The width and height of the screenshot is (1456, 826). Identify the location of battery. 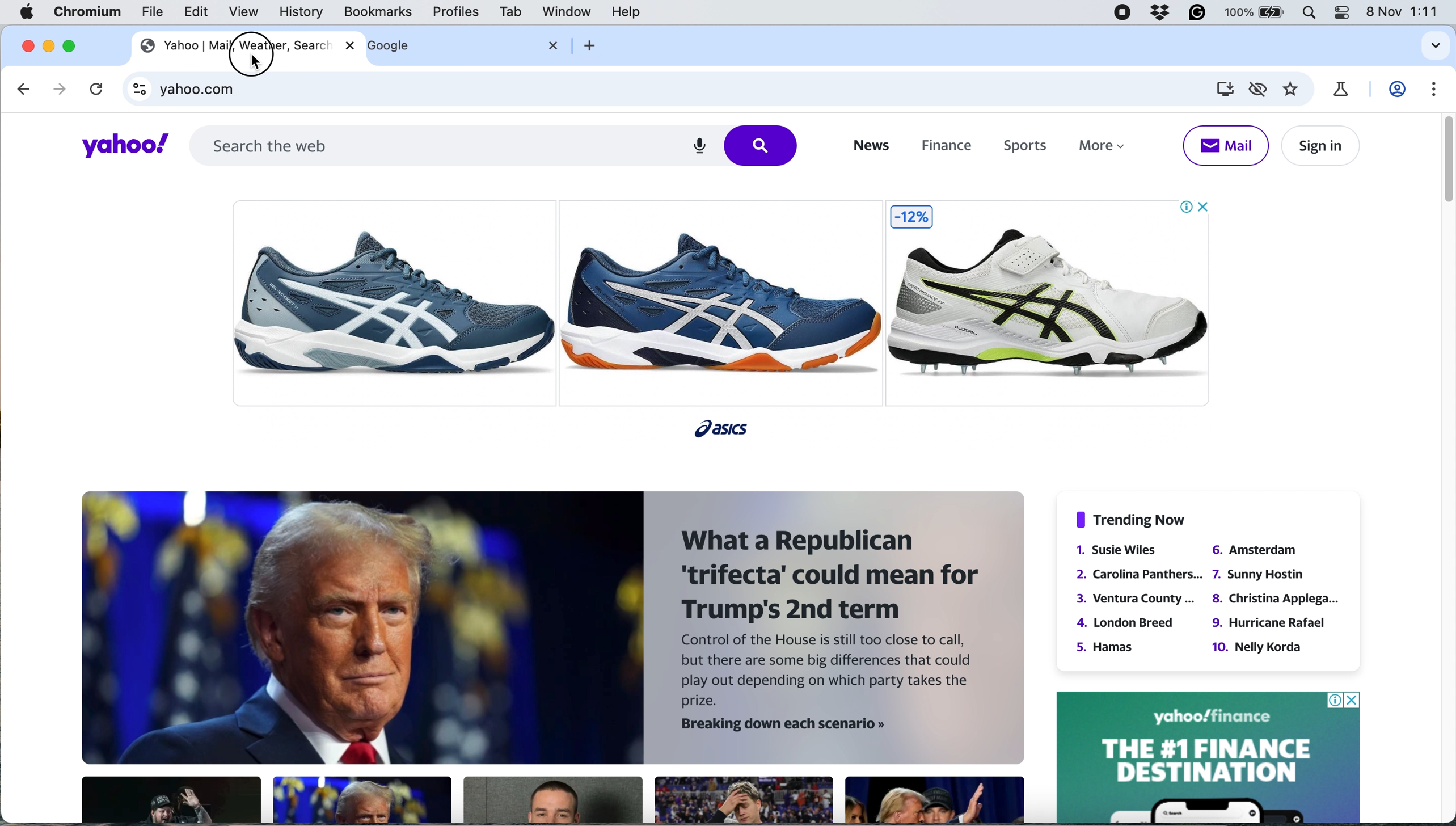
(1256, 14).